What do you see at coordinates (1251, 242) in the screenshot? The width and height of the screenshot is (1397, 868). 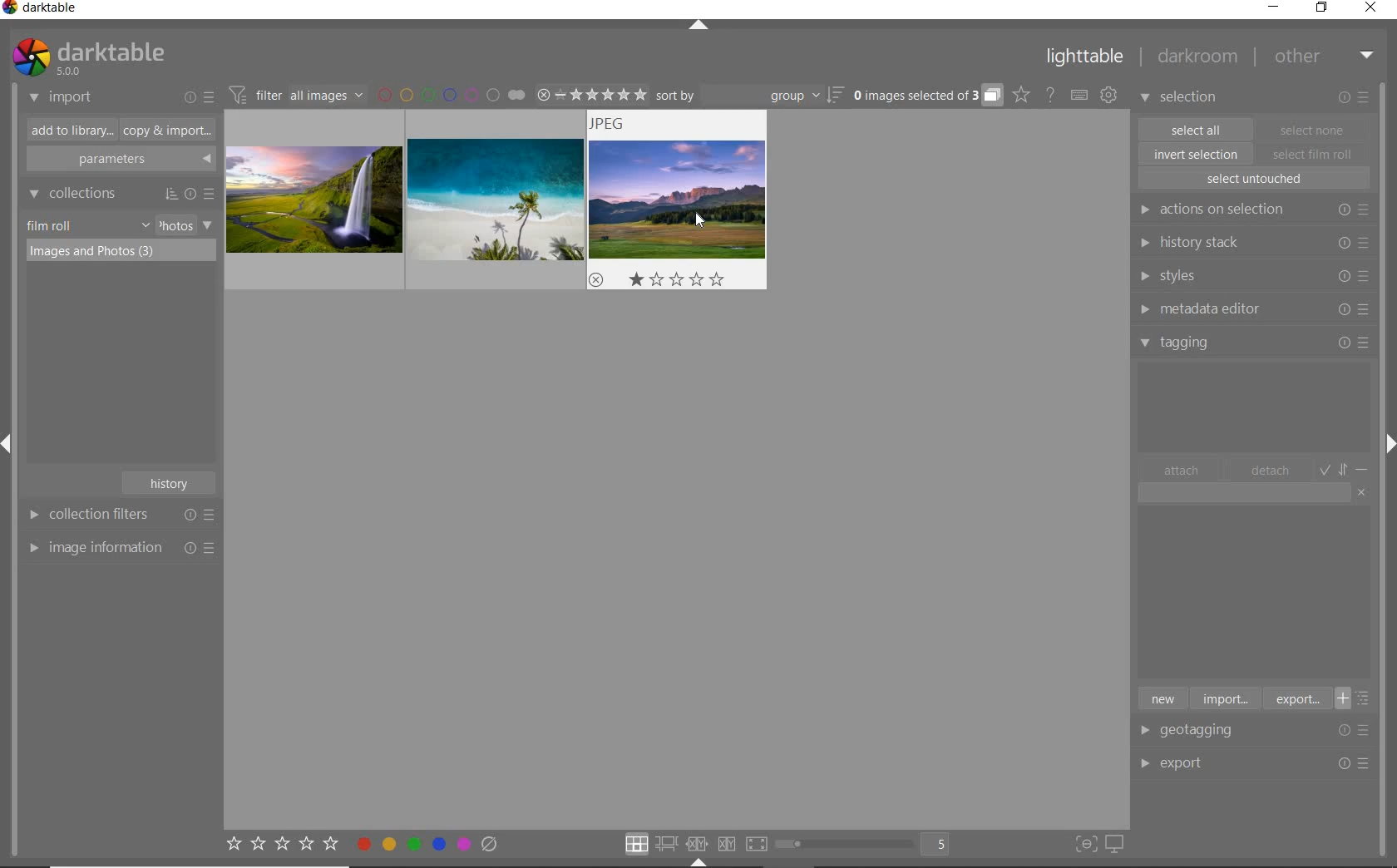 I see `history stack` at bounding box center [1251, 242].